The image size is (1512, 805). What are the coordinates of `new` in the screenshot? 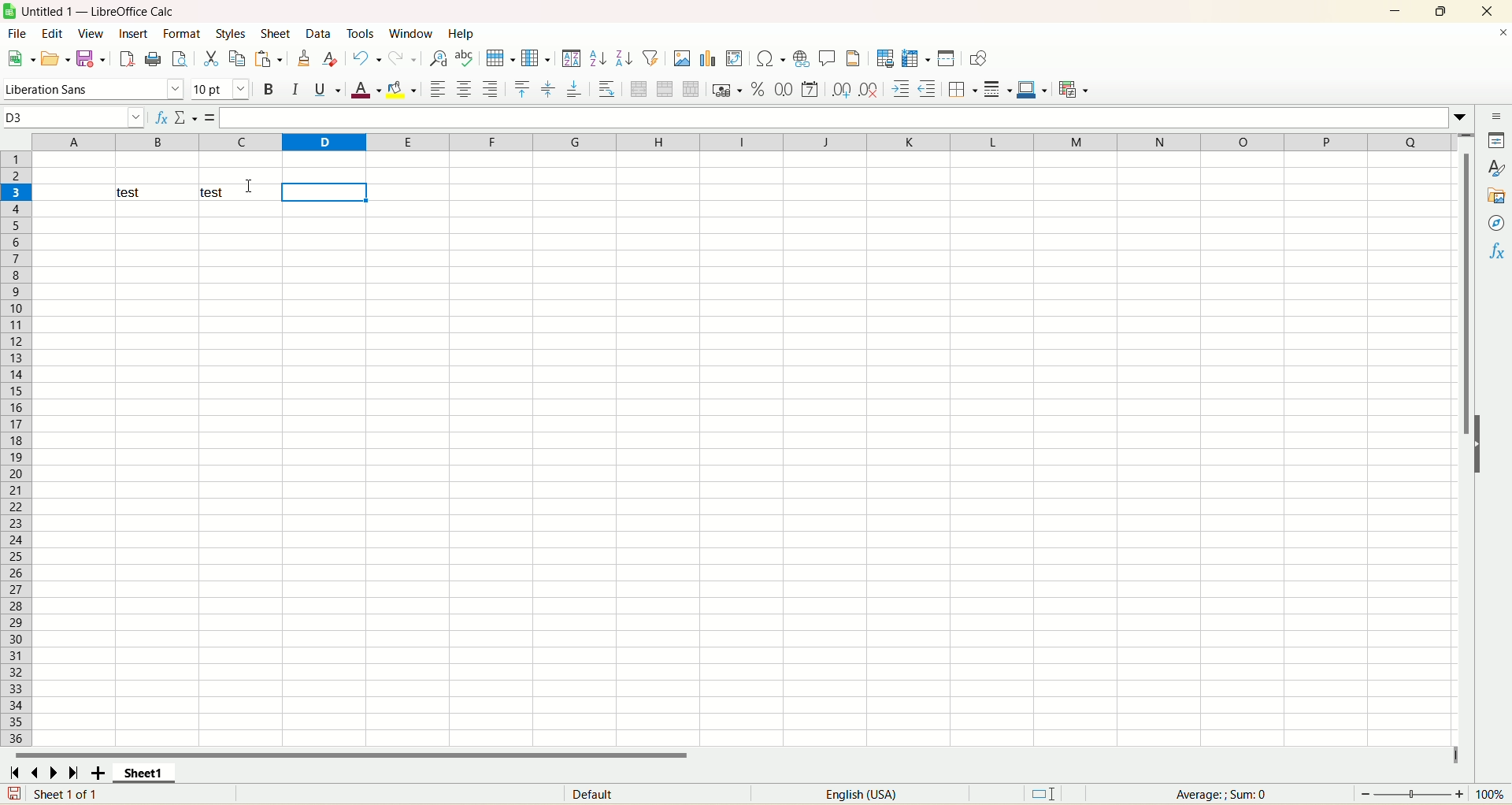 It's located at (20, 58).